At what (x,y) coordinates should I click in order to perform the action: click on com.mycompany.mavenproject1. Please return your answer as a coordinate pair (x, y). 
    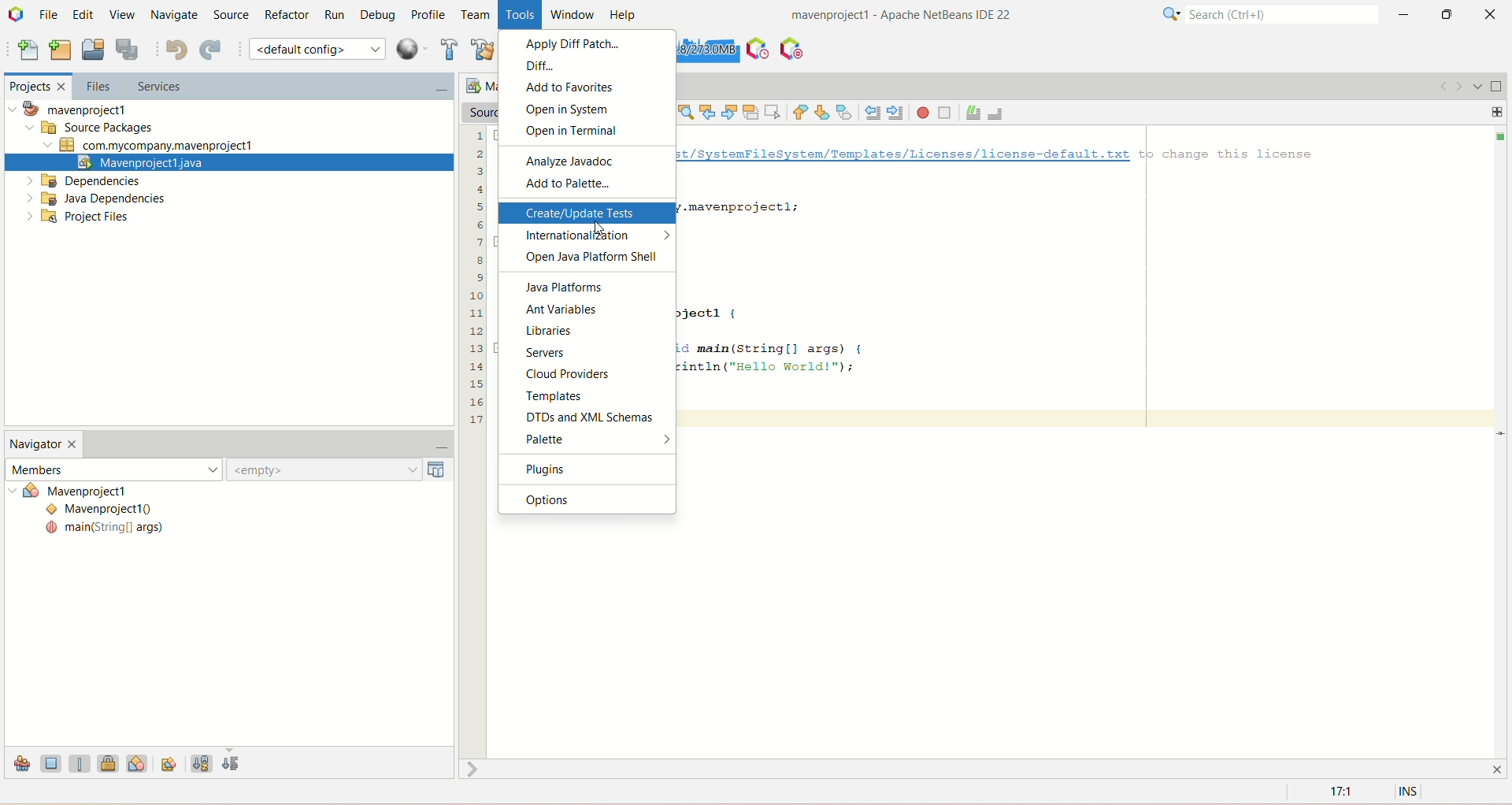
    Looking at the image, I should click on (150, 146).